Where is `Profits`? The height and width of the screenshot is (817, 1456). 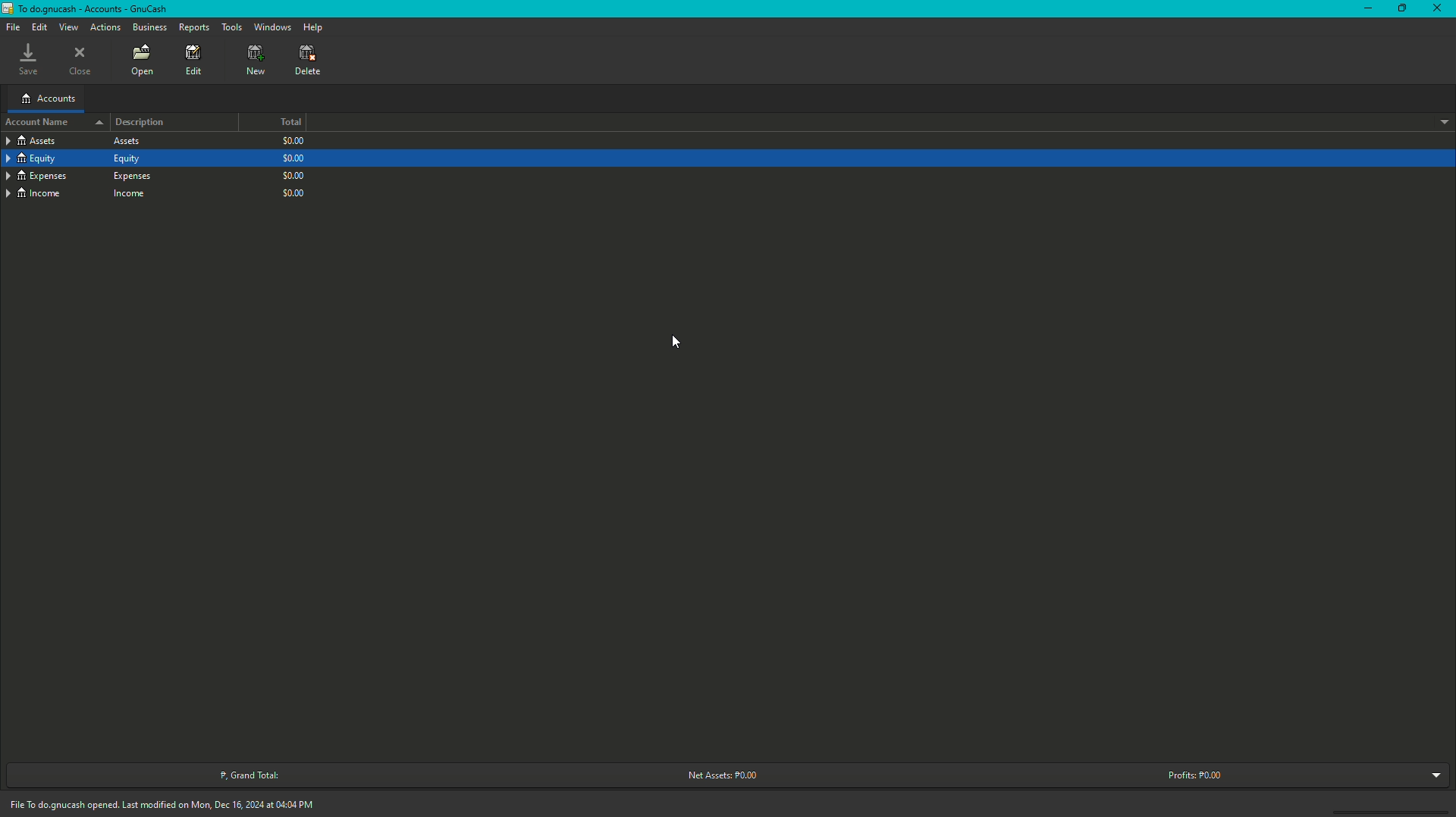 Profits is located at coordinates (1195, 773).